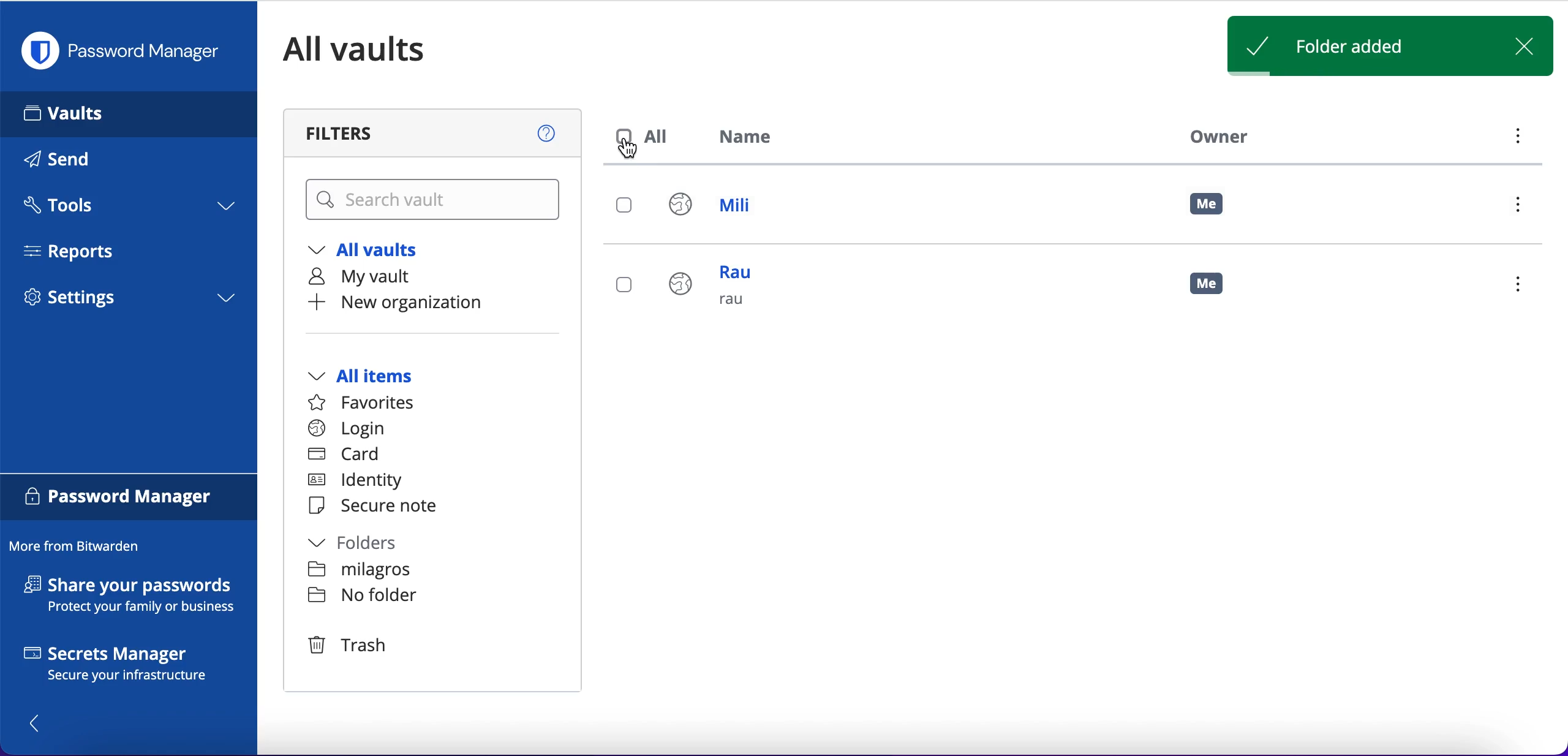  What do you see at coordinates (366, 545) in the screenshot?
I see `folders` at bounding box center [366, 545].